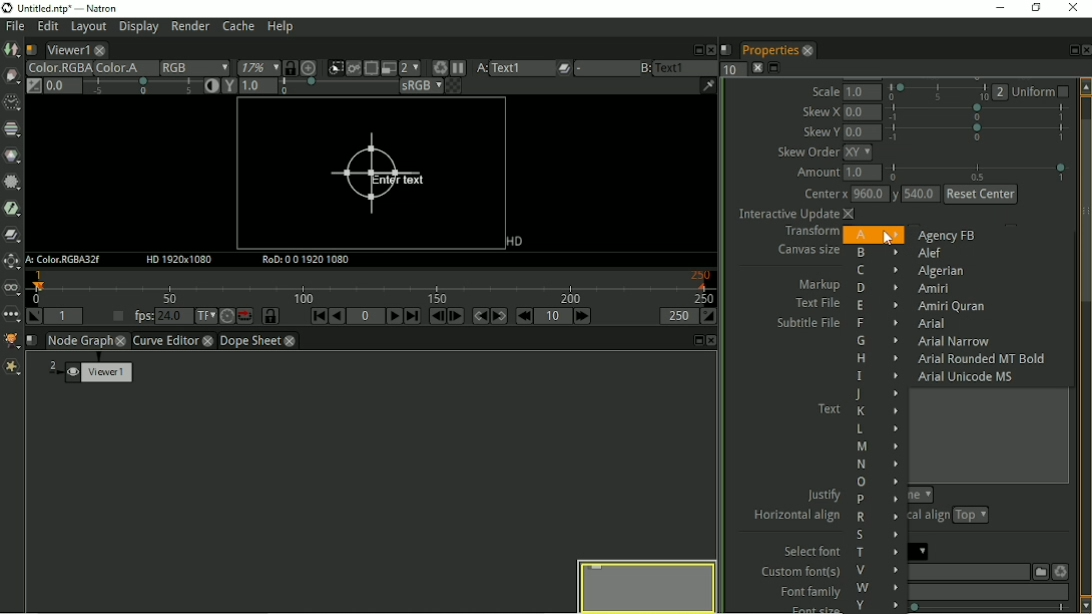 The width and height of the screenshot is (1092, 614). Describe the element at coordinates (12, 340) in the screenshot. I see `GMIC` at that location.